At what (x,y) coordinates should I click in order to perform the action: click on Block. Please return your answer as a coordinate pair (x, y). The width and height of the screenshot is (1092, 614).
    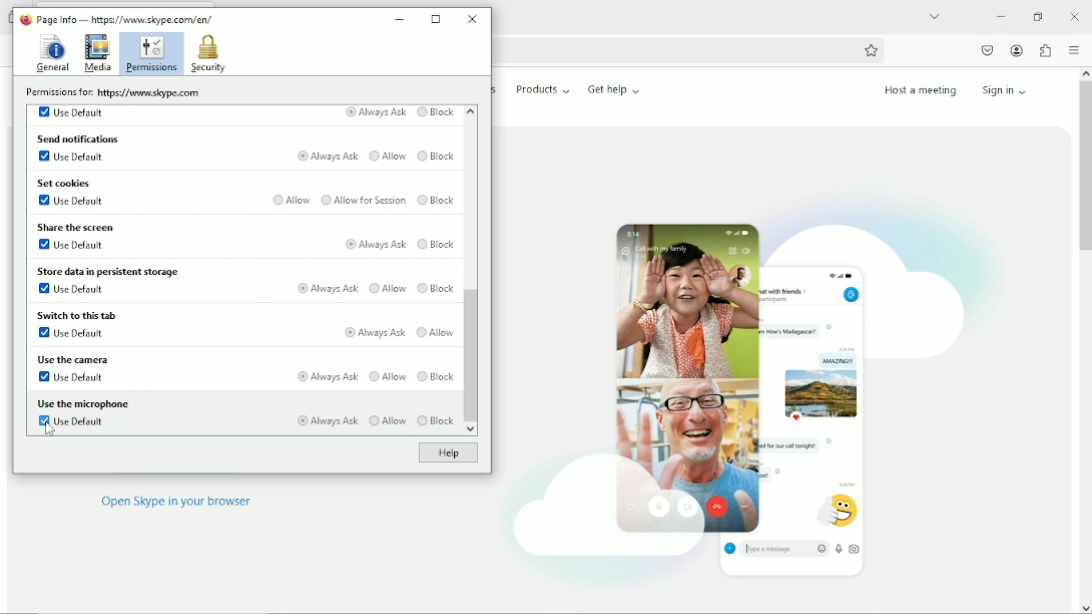
    Looking at the image, I should click on (437, 201).